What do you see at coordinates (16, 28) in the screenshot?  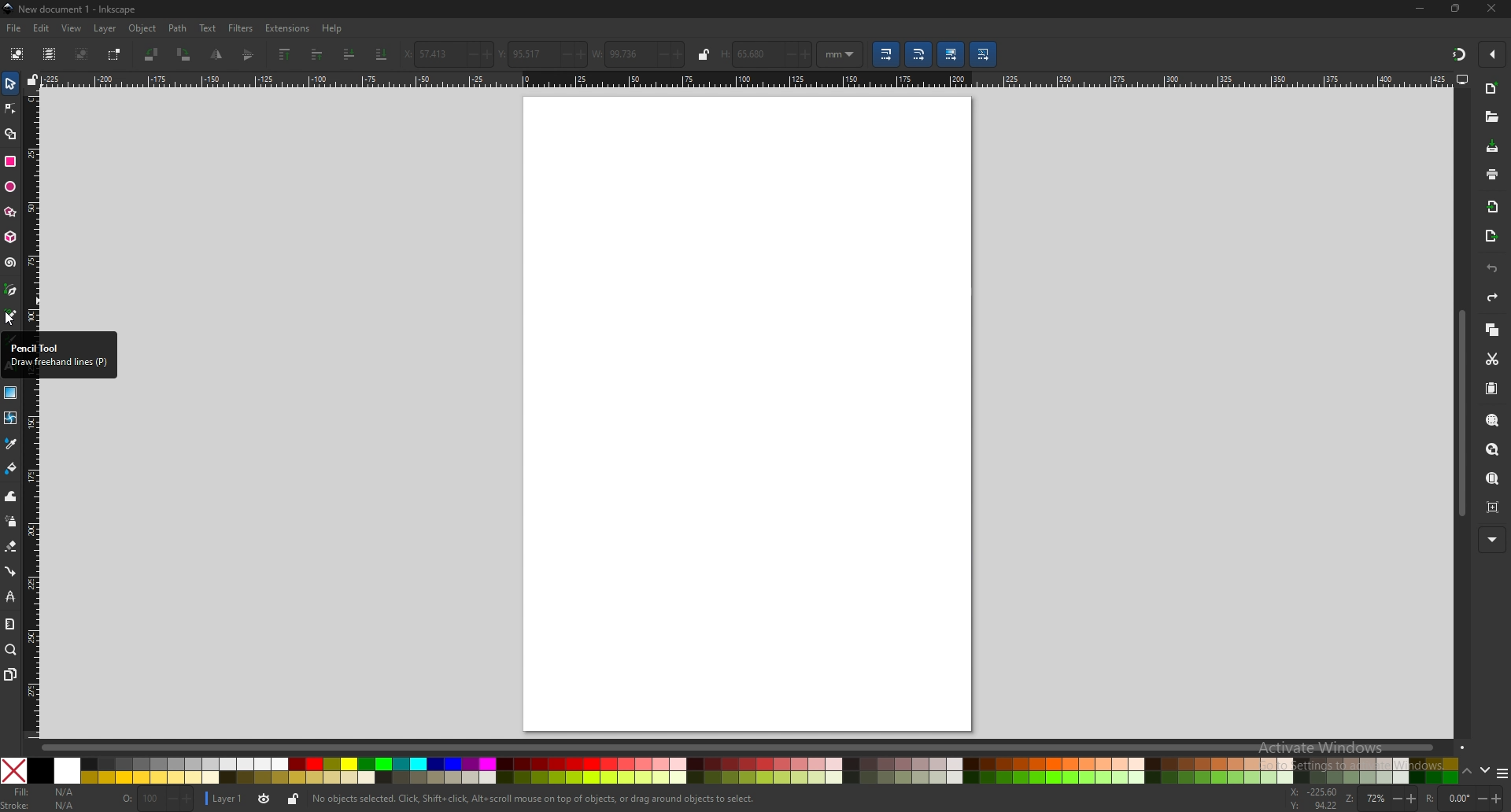 I see `file` at bounding box center [16, 28].